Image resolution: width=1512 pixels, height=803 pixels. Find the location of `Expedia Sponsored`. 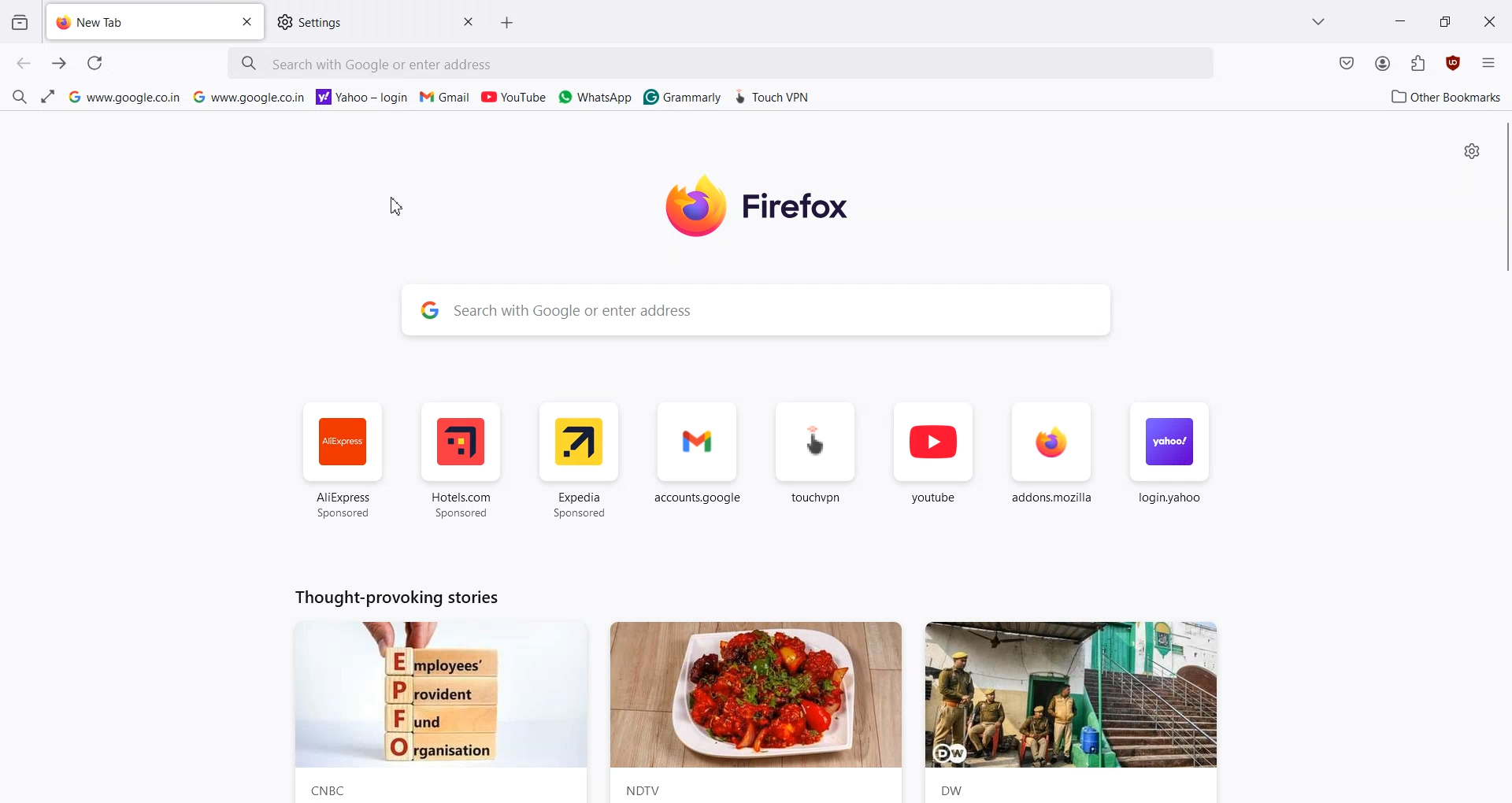

Expedia Sponsored is located at coordinates (581, 461).